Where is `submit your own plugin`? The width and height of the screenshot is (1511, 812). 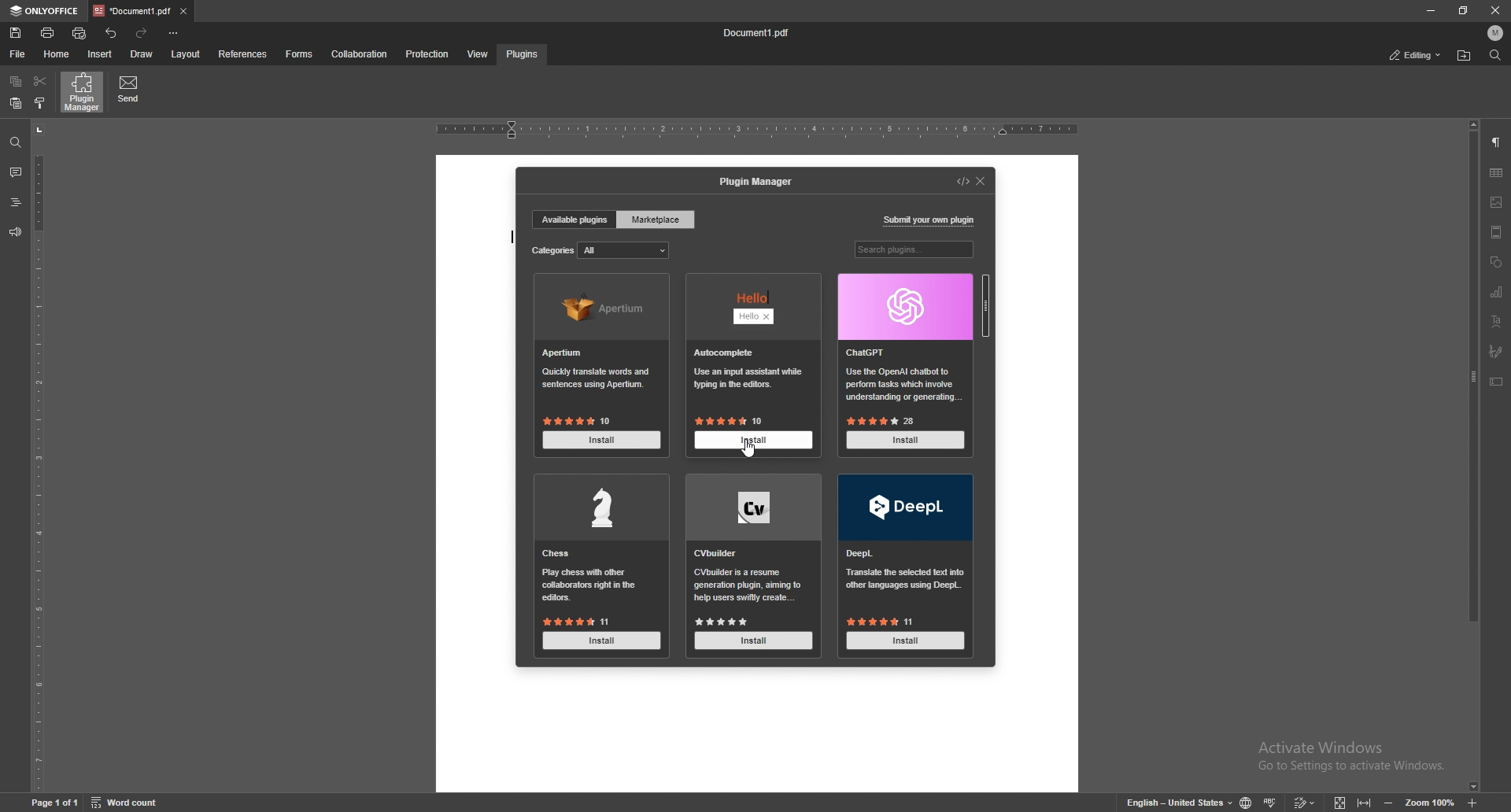 submit your own plugin is located at coordinates (929, 220).